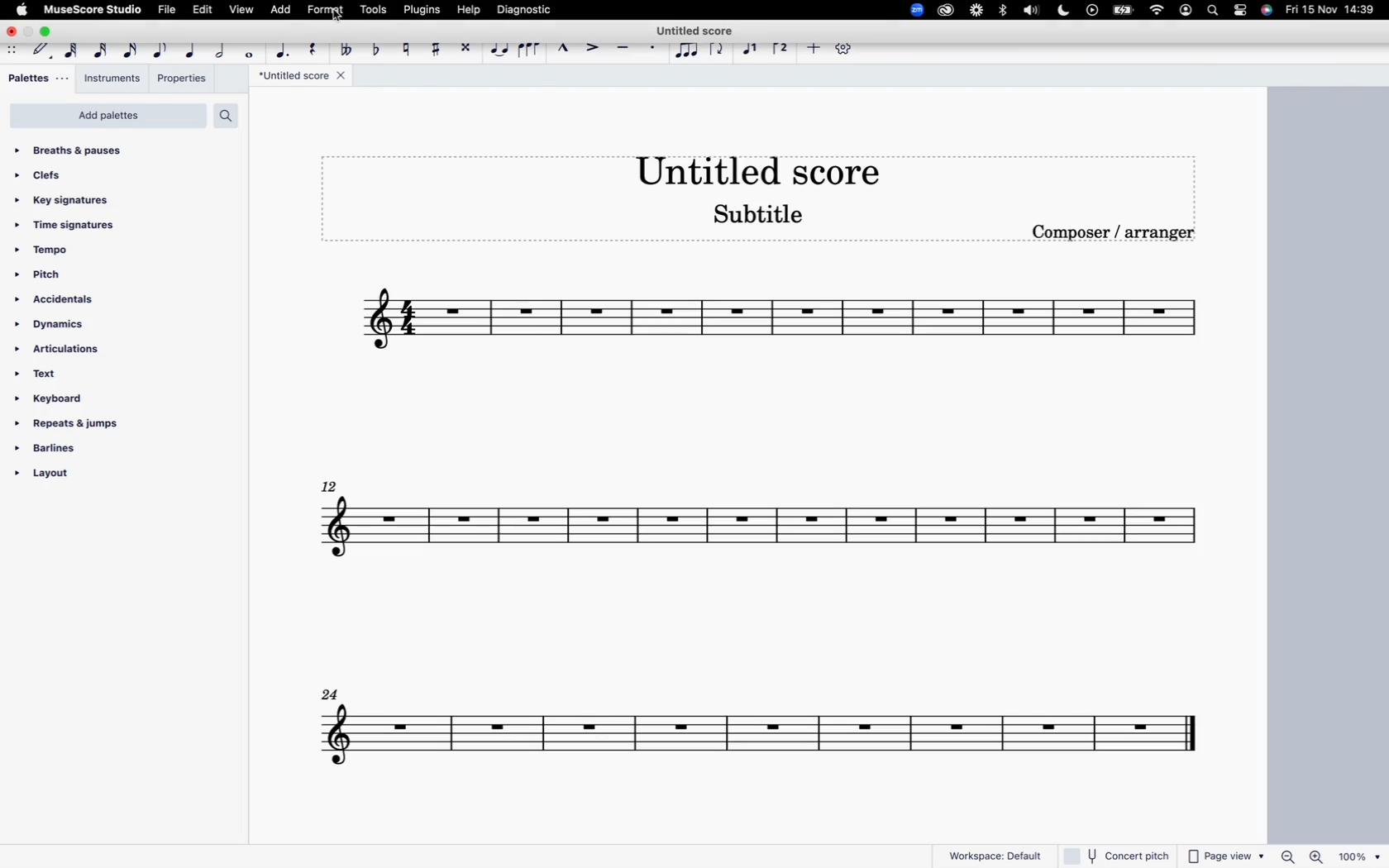 This screenshot has height=868, width=1389. What do you see at coordinates (47, 33) in the screenshot?
I see `maximize` at bounding box center [47, 33].